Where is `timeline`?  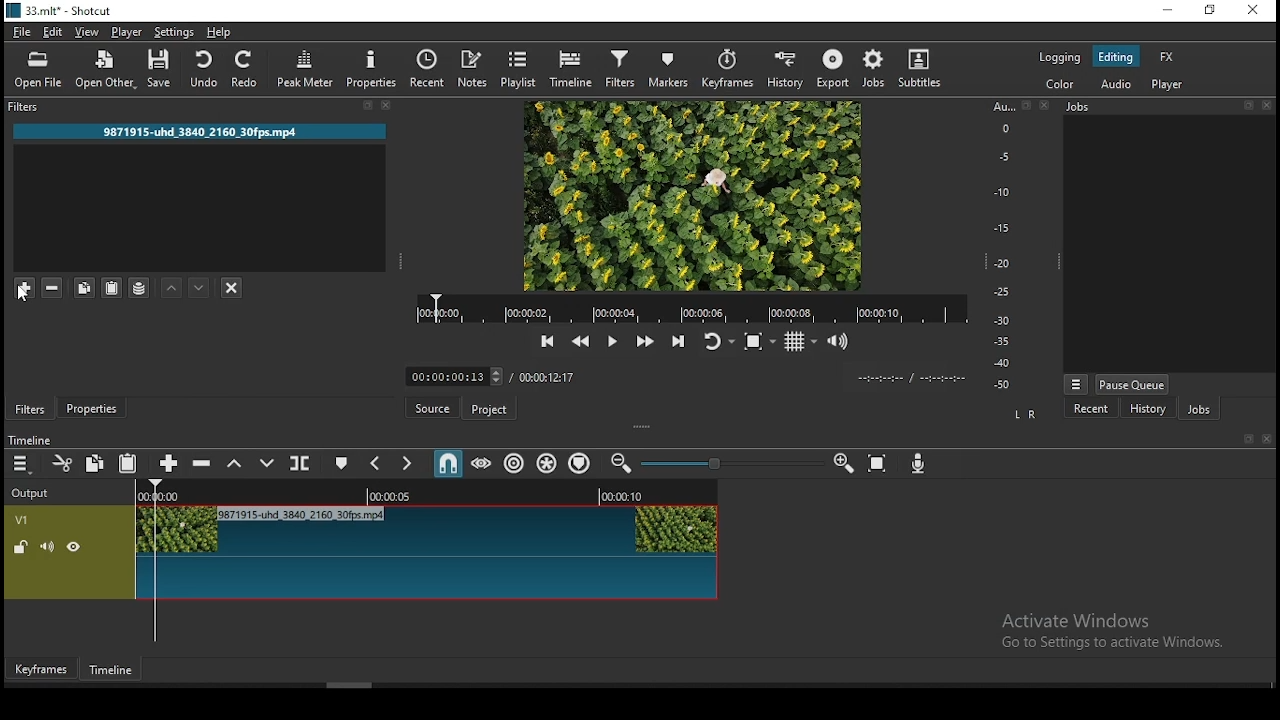 timeline is located at coordinates (575, 68).